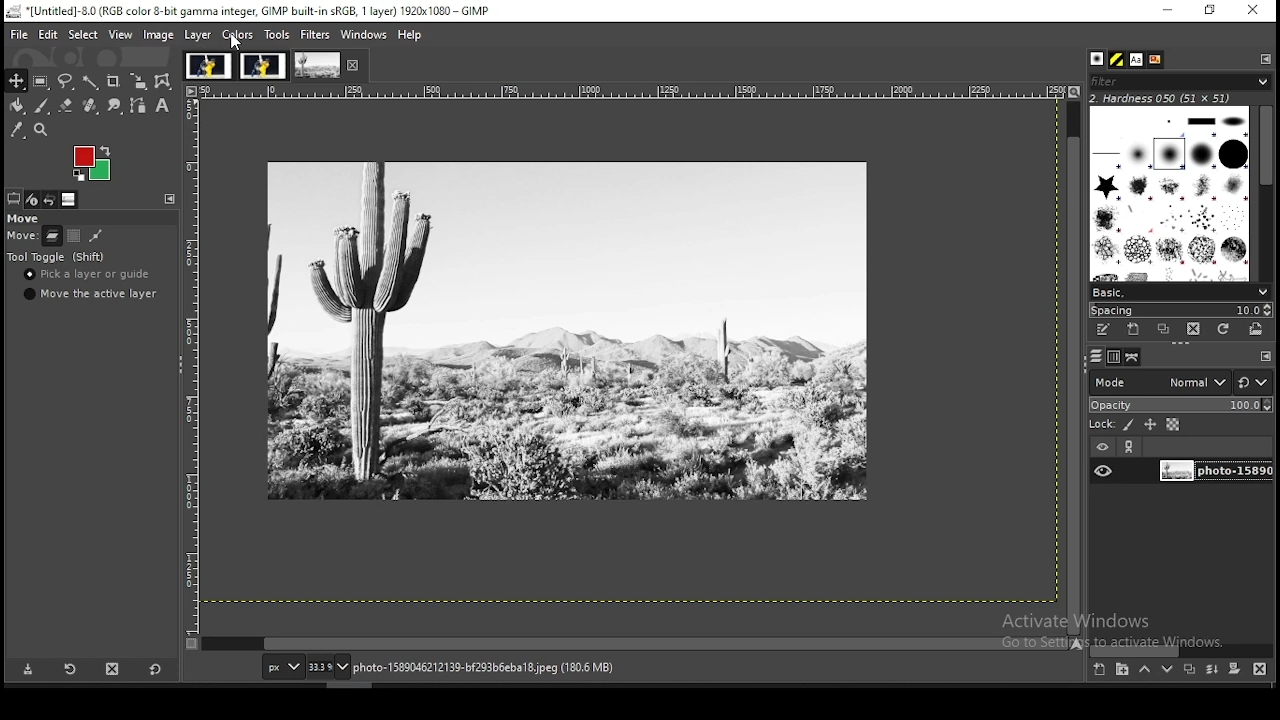 This screenshot has width=1280, height=720. Describe the element at coordinates (92, 81) in the screenshot. I see `fuzzy selection tool` at that location.